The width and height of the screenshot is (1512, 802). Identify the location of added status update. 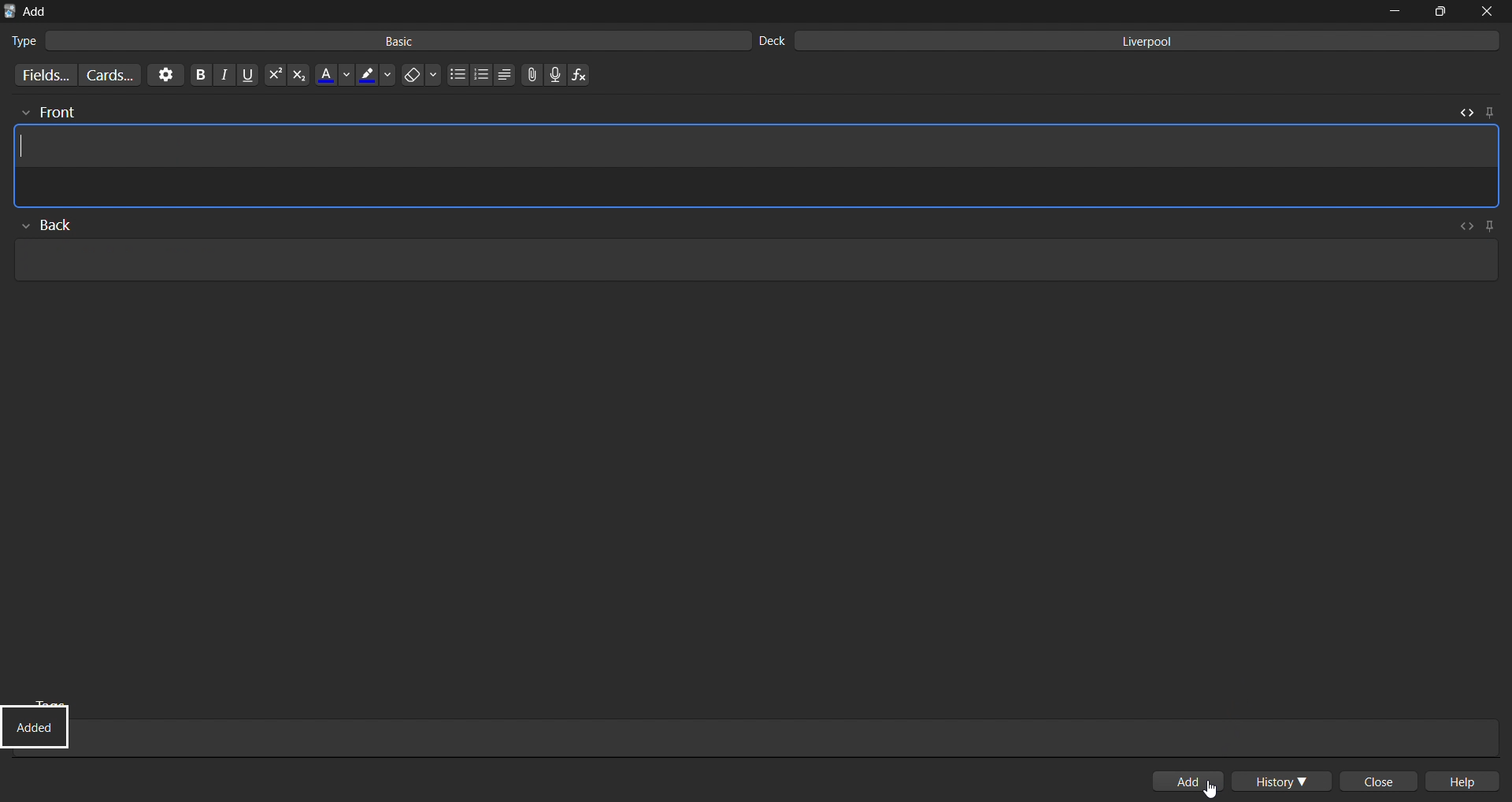
(39, 728).